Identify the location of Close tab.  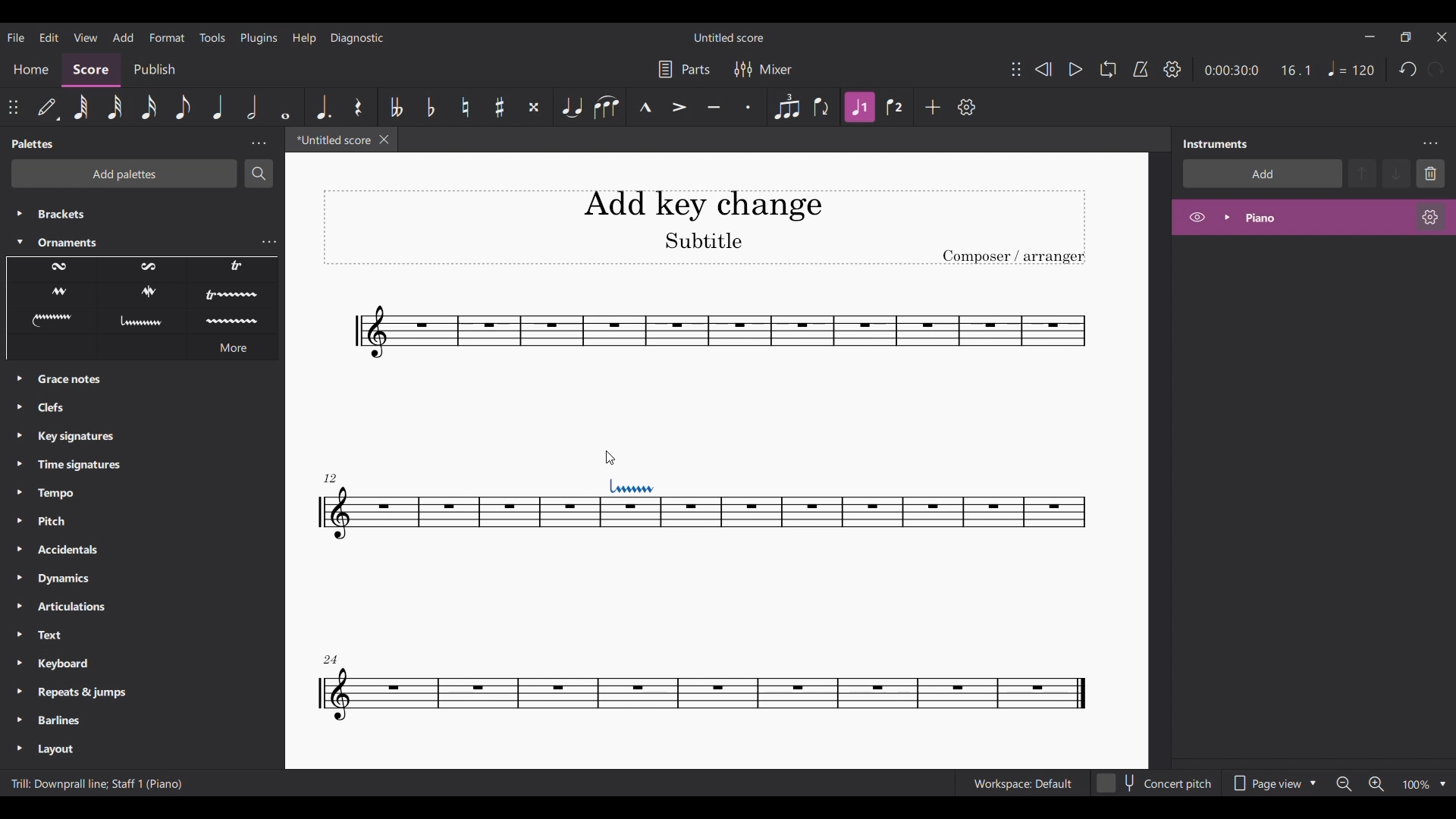
(384, 140).